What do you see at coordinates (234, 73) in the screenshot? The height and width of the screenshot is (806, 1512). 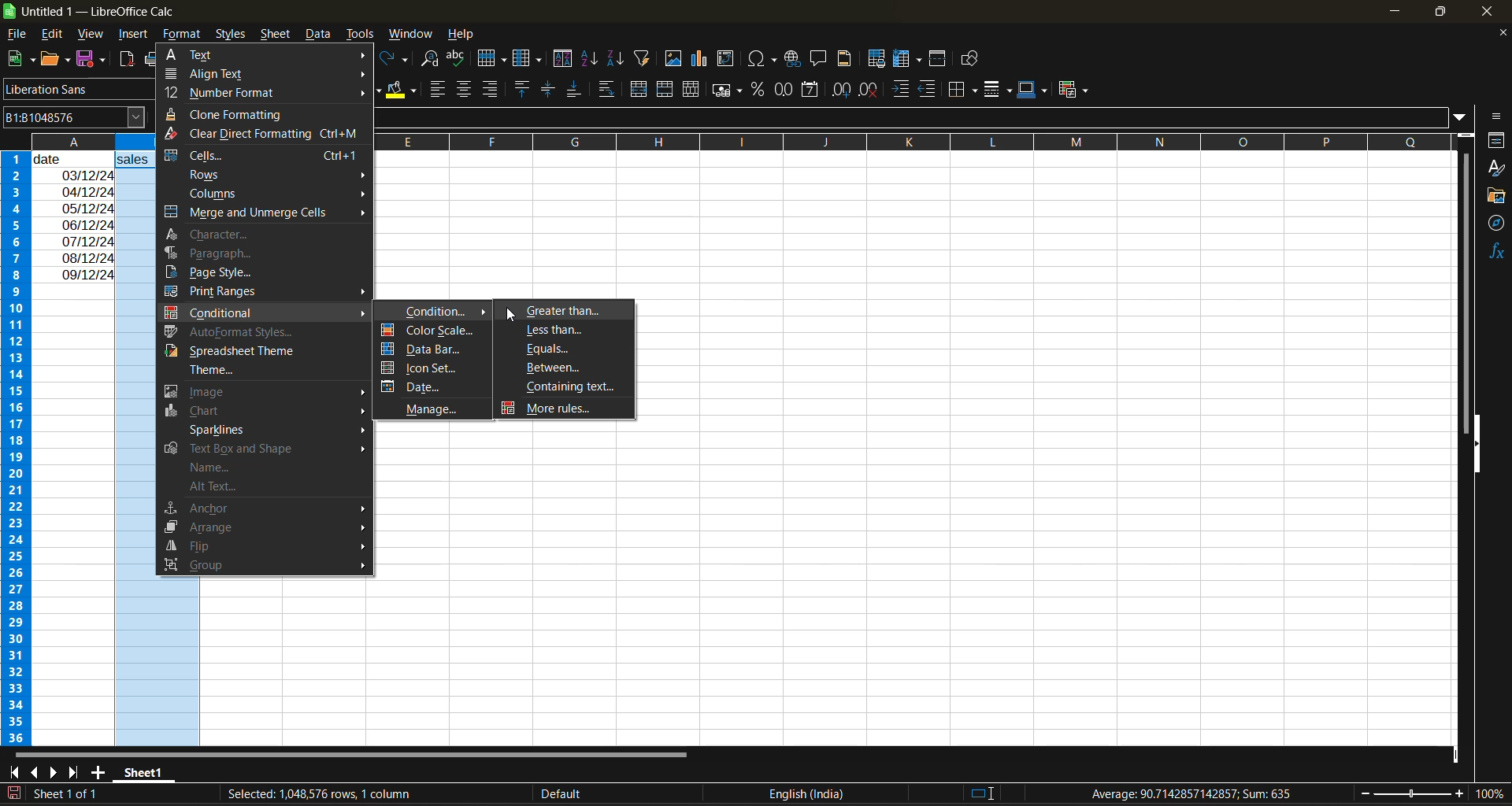 I see `align text` at bounding box center [234, 73].